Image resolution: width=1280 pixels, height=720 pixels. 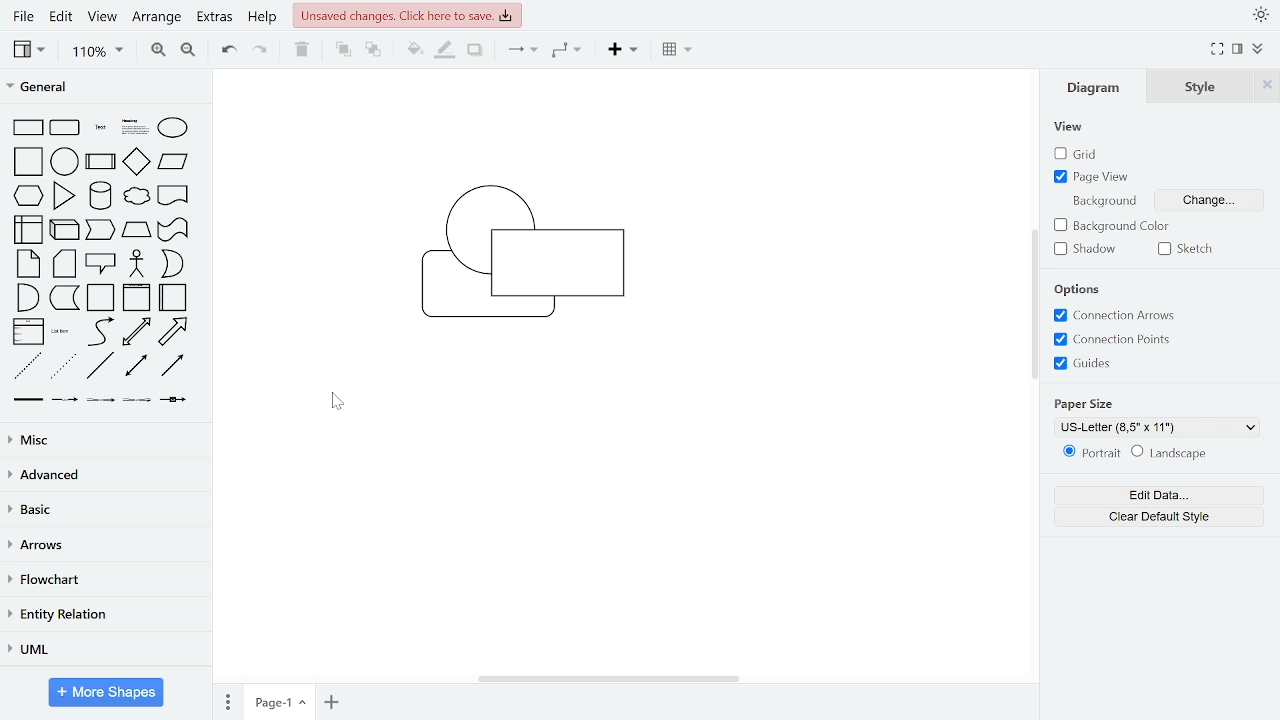 I want to click on format, so click(x=1240, y=48).